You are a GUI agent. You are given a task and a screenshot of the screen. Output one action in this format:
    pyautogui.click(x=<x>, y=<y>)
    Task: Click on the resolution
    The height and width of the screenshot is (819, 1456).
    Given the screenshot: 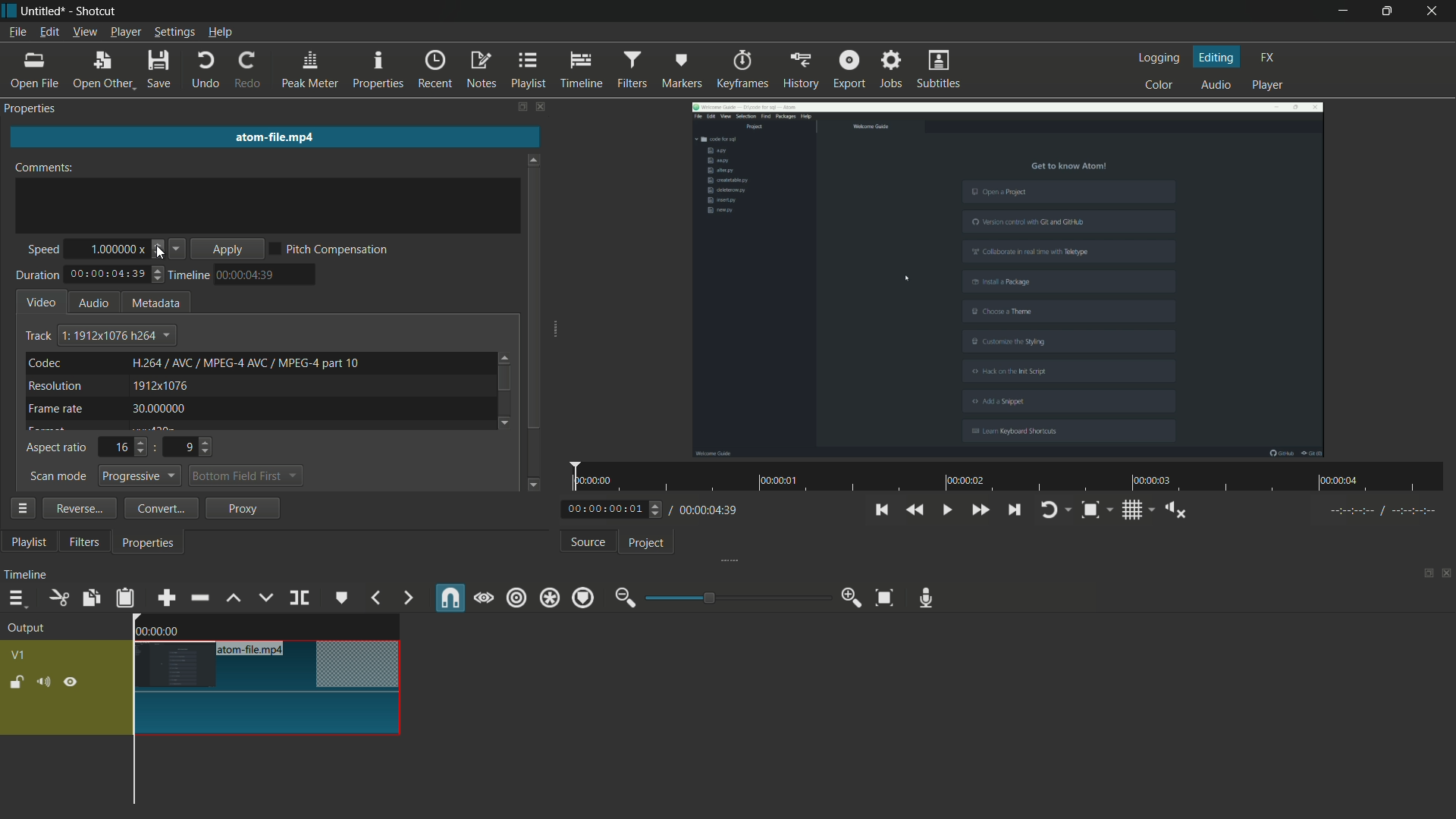 What is the action you would take?
    pyautogui.click(x=56, y=387)
    